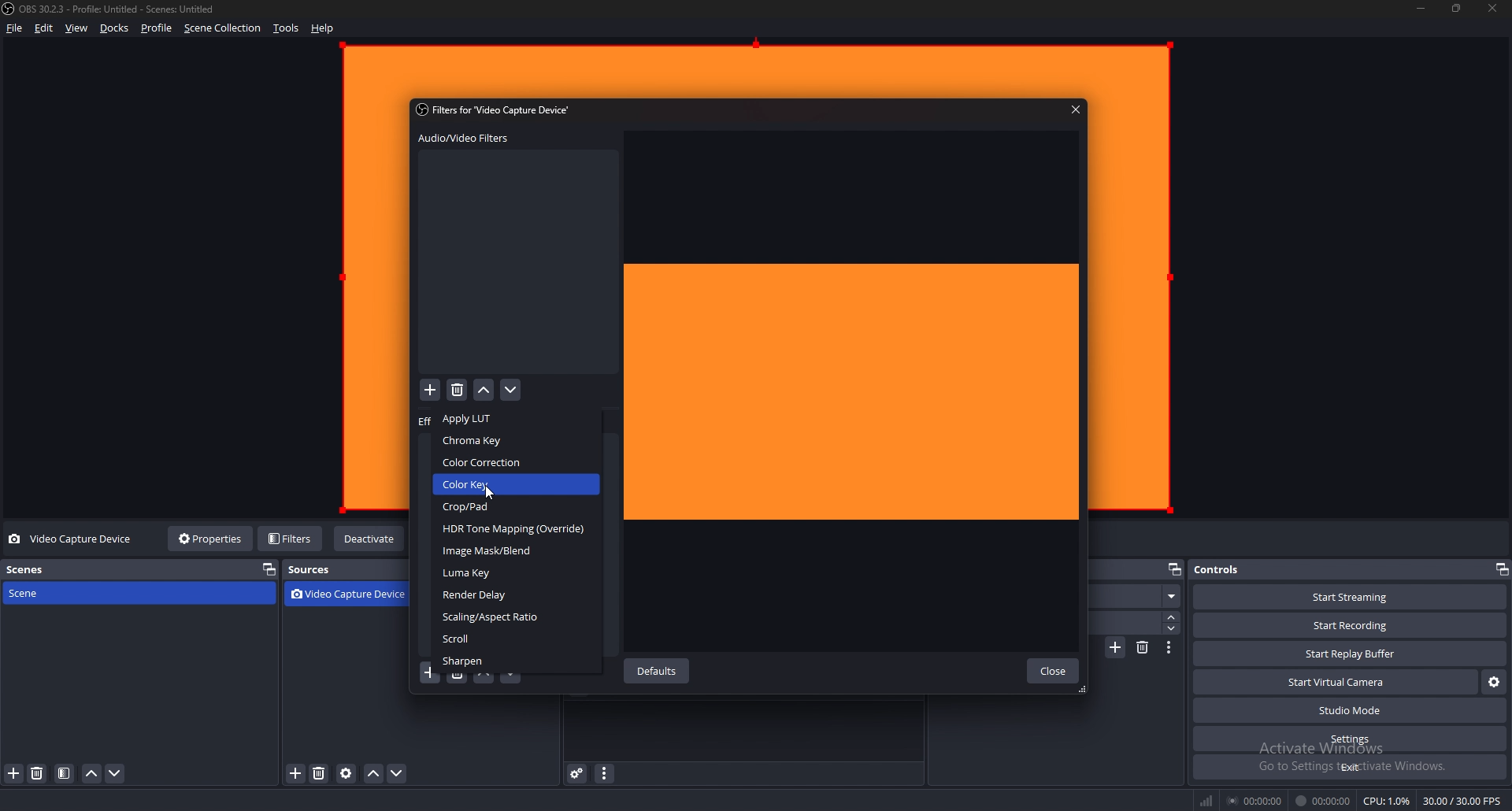  Describe the element at coordinates (1173, 628) in the screenshot. I see `decrease duration` at that location.